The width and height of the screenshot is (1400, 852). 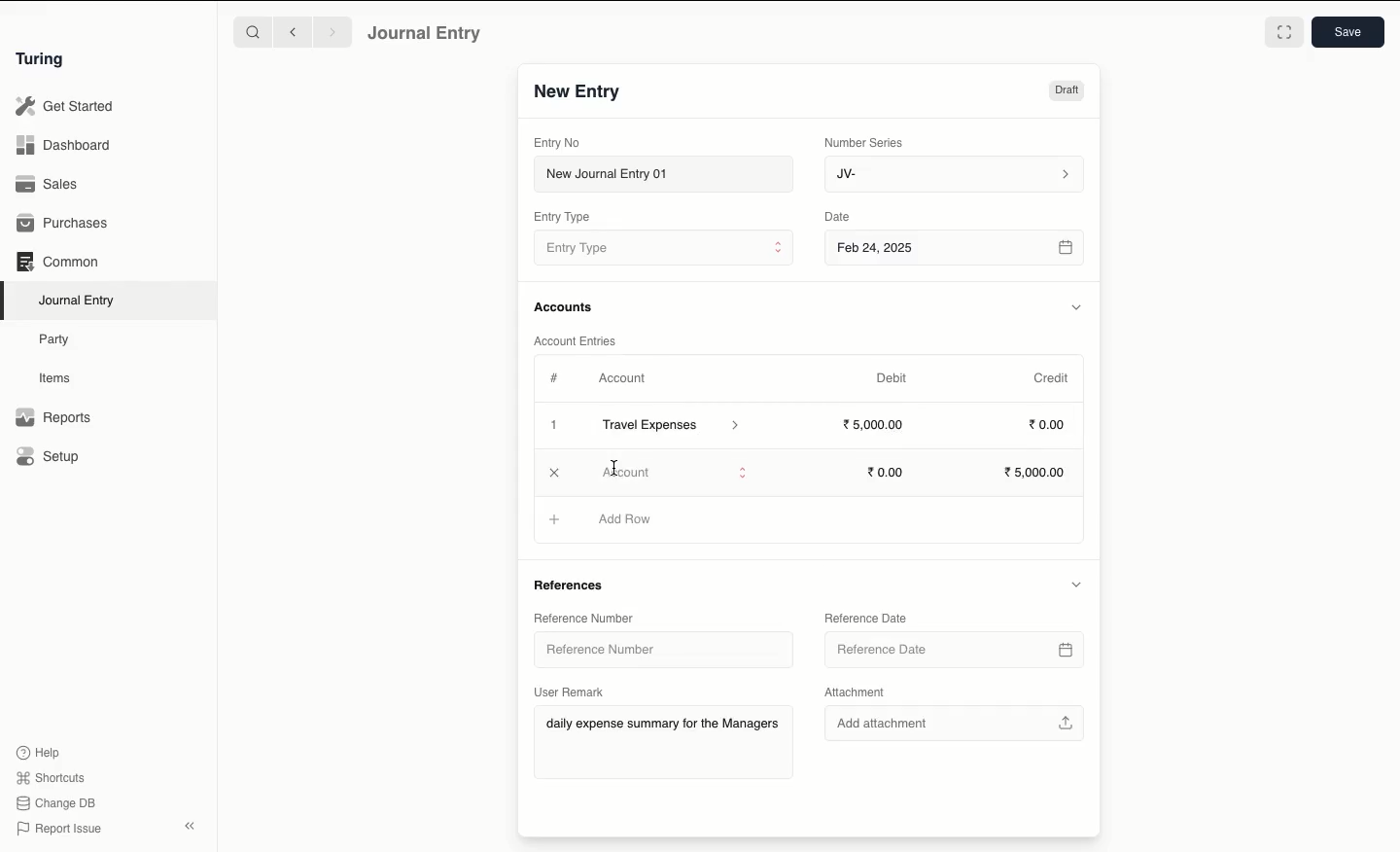 I want to click on Backward, so click(x=293, y=31).